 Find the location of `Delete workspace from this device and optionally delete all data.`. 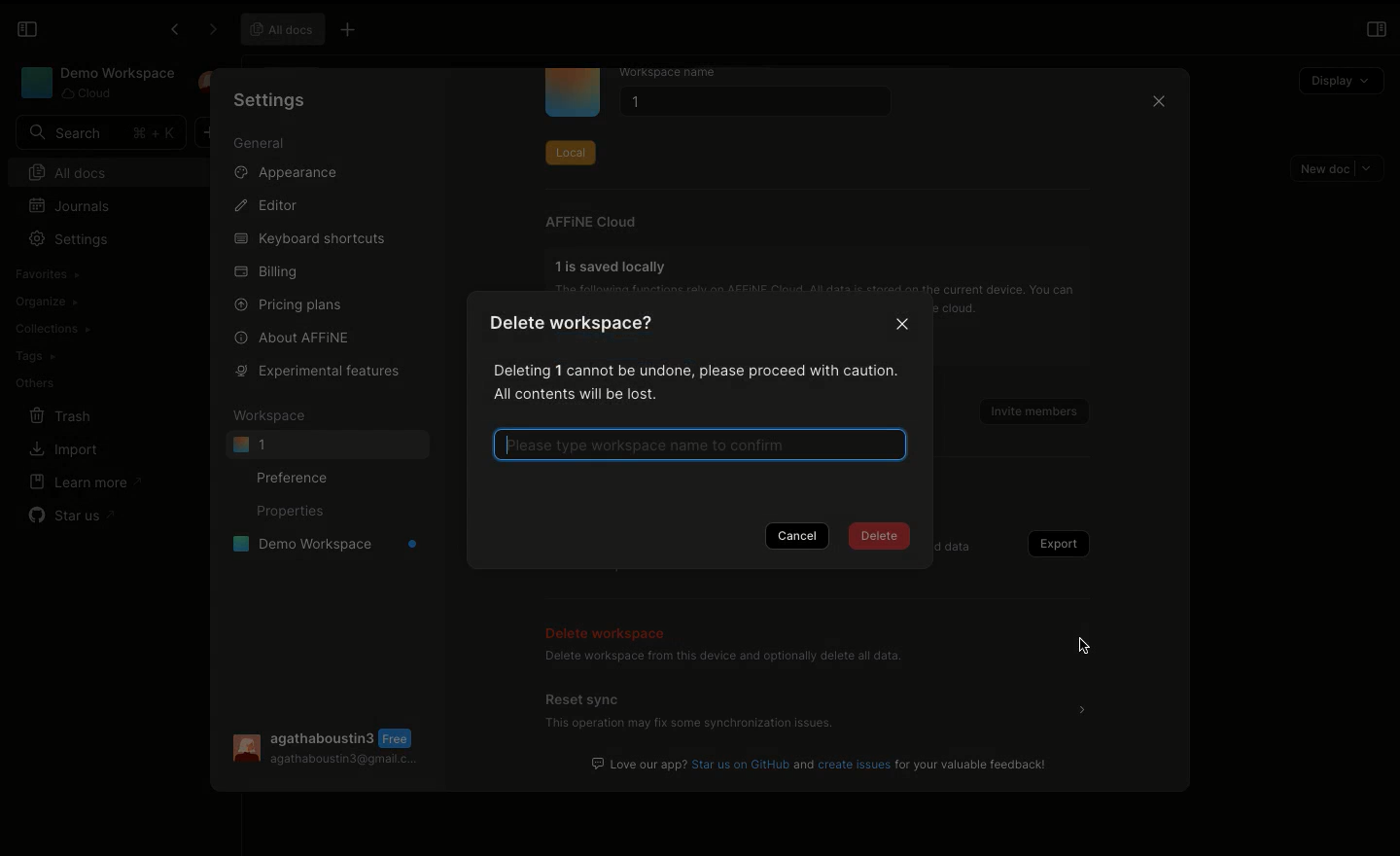

Delete workspace from this device and optionally delete all data. is located at coordinates (722, 659).